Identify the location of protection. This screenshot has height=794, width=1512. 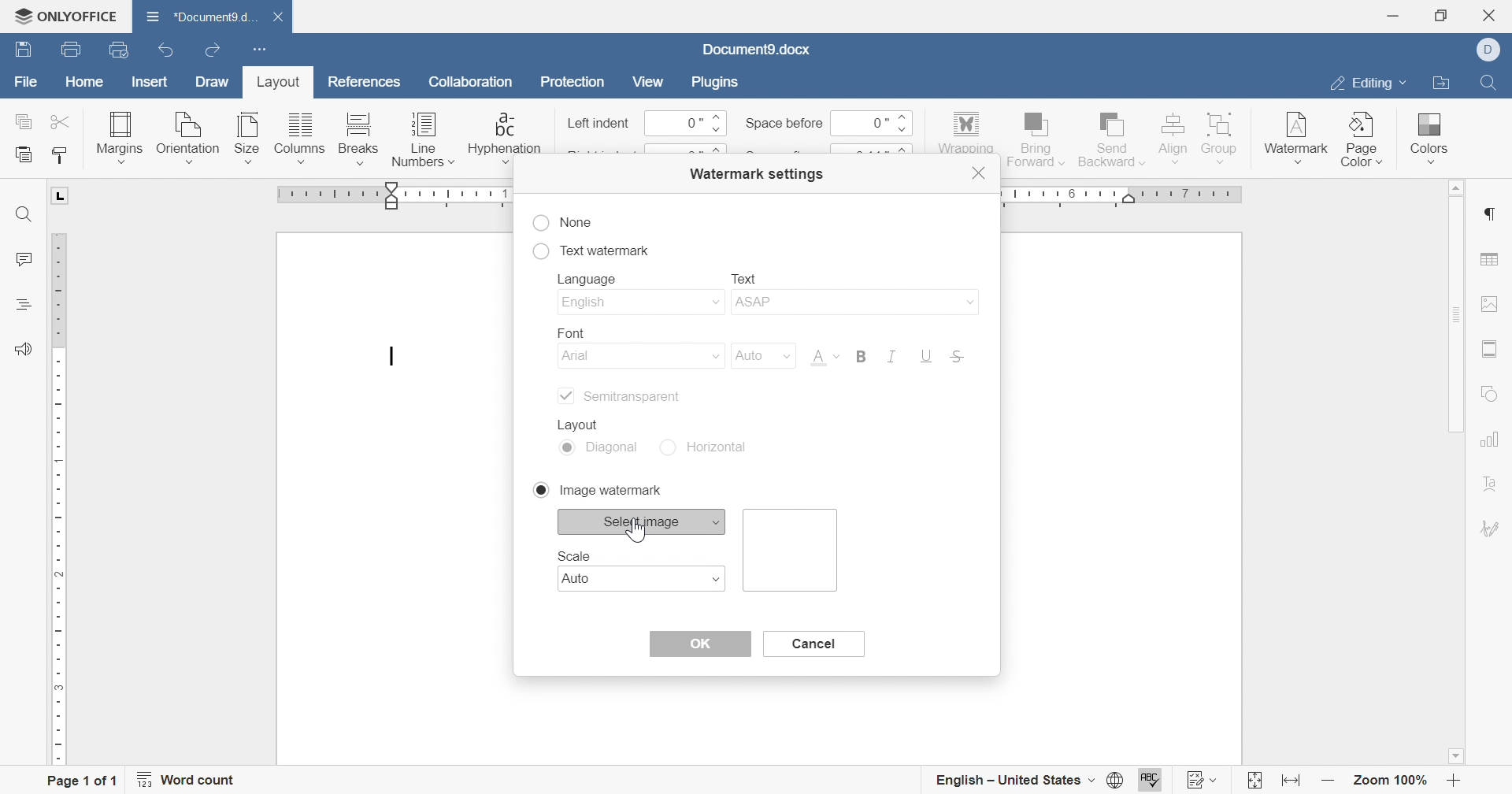
(573, 85).